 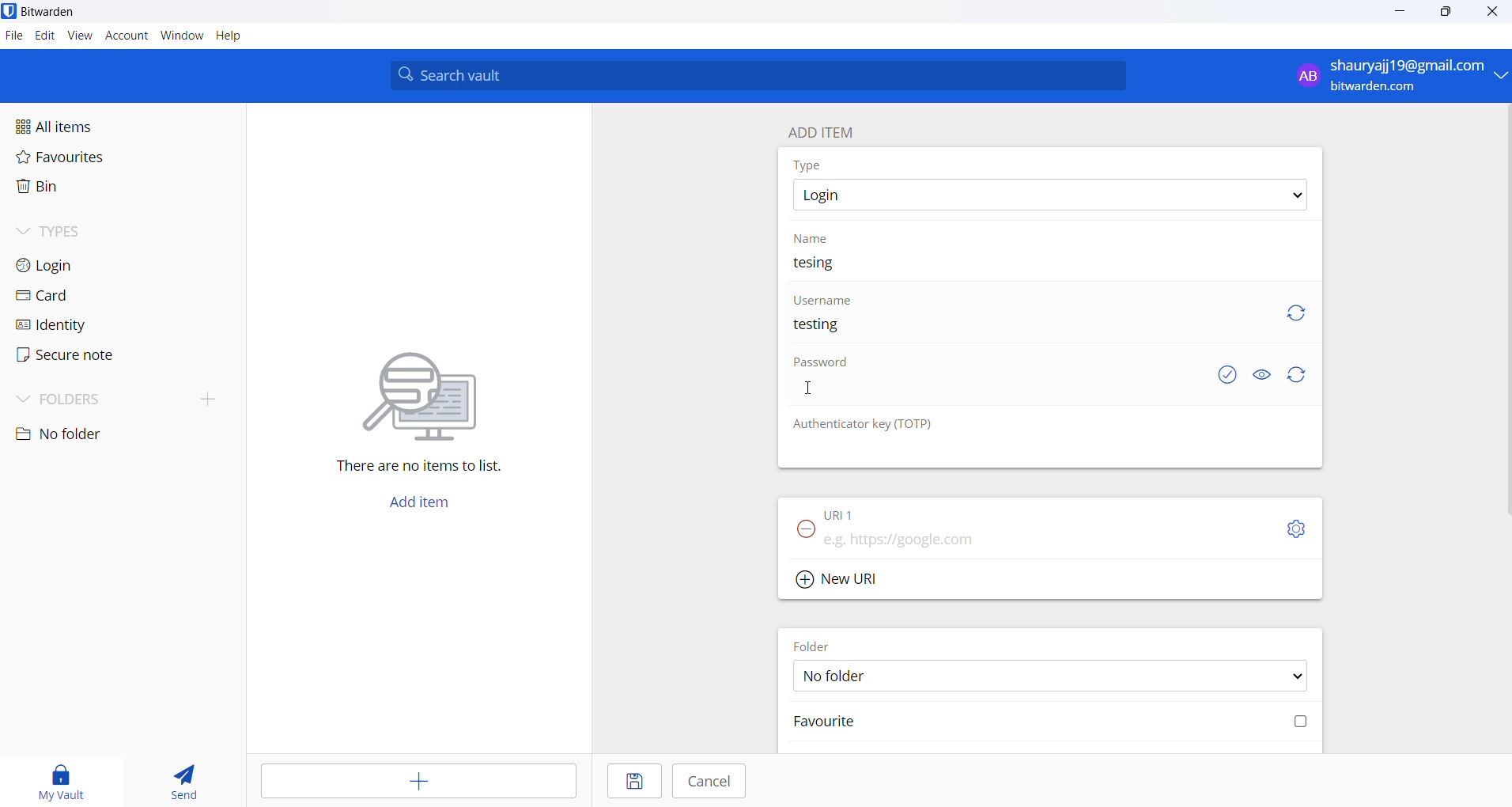 I want to click on minimize, so click(x=1402, y=13).